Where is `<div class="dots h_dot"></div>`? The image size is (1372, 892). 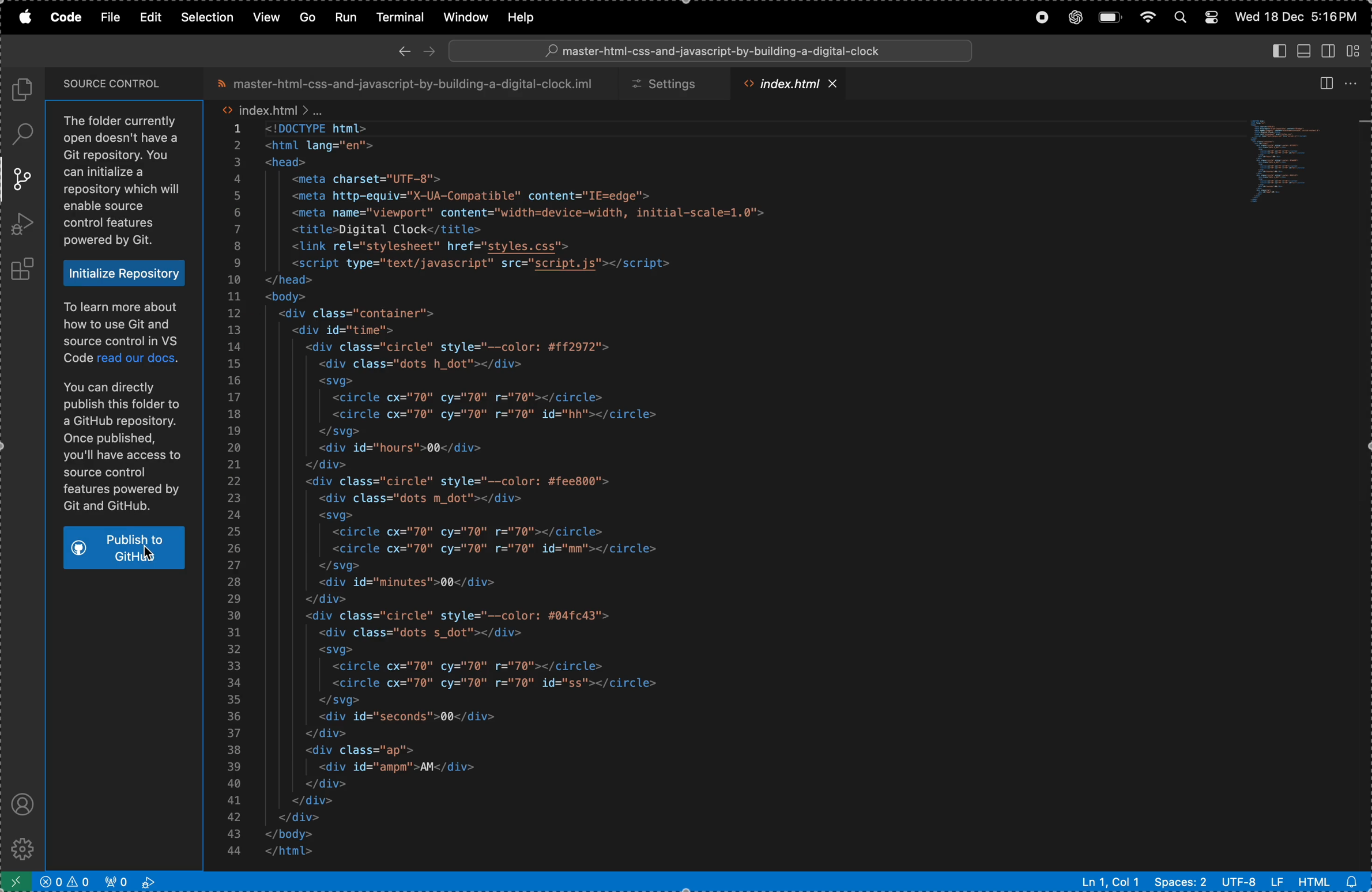 <div class="dots h_dot"></div> is located at coordinates (438, 364).